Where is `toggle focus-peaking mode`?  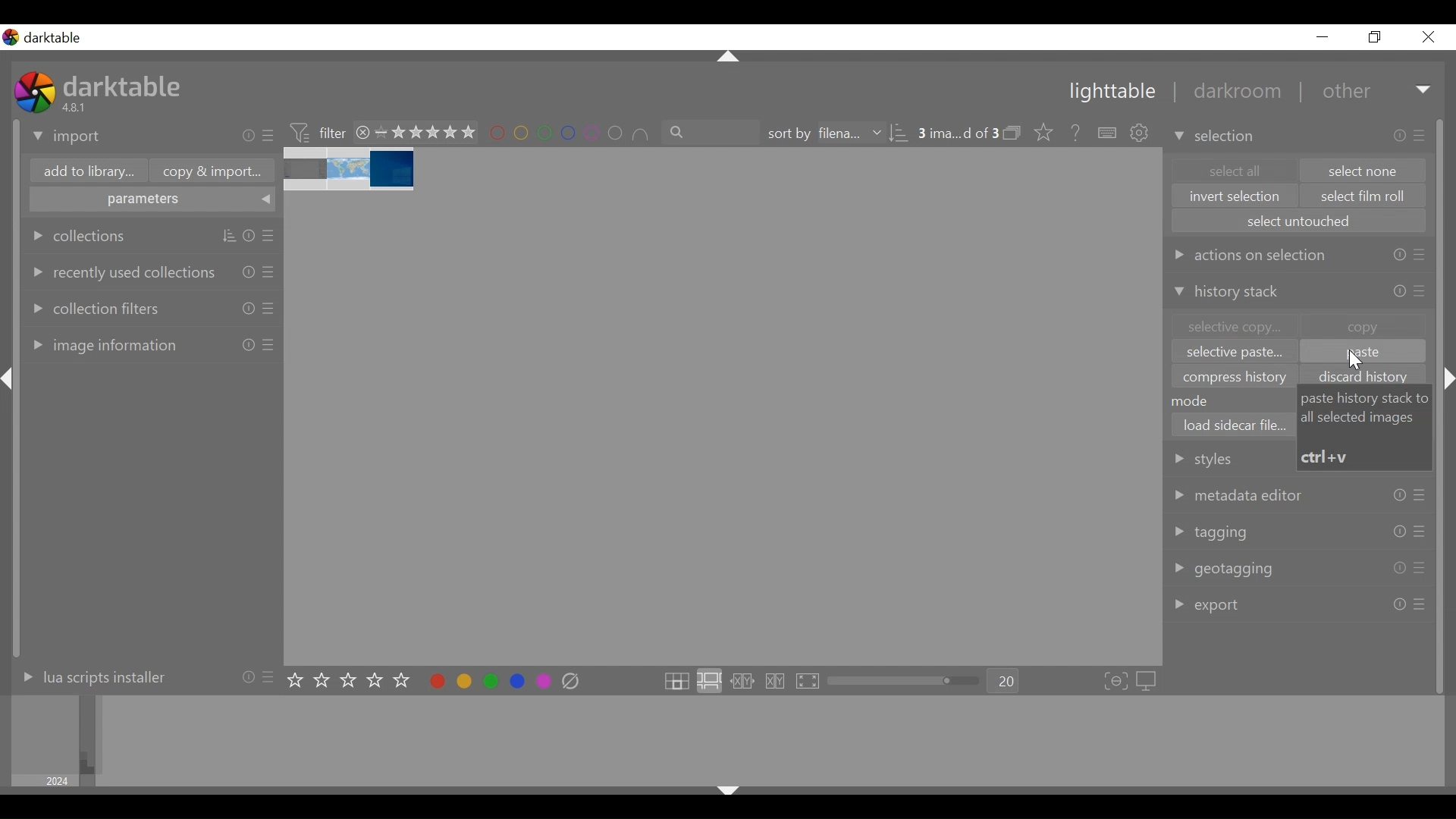 toggle focus-peaking mode is located at coordinates (1116, 682).